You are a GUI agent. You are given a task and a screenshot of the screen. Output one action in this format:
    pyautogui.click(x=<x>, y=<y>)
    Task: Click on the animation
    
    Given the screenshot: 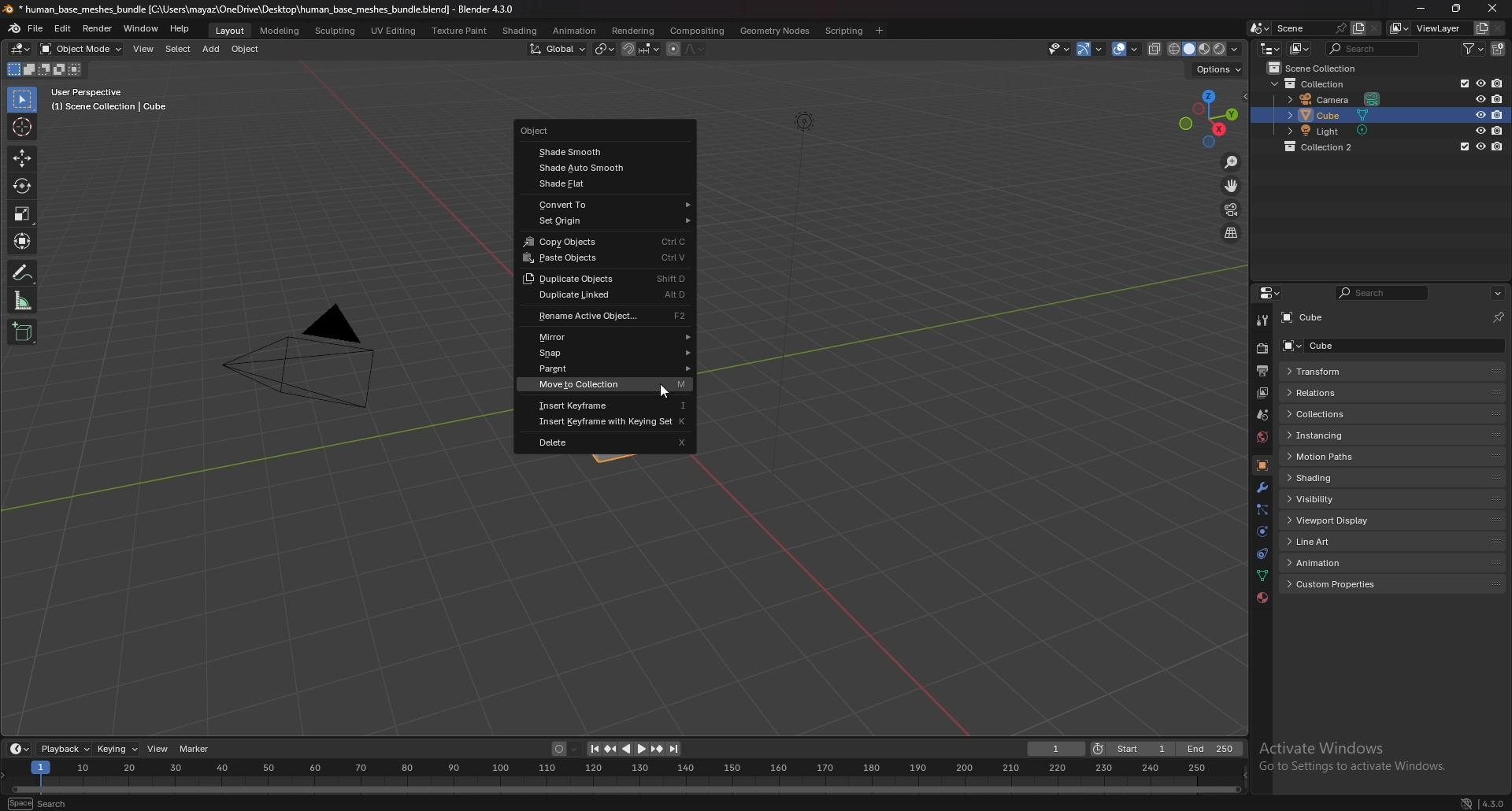 What is the action you would take?
    pyautogui.click(x=1341, y=561)
    